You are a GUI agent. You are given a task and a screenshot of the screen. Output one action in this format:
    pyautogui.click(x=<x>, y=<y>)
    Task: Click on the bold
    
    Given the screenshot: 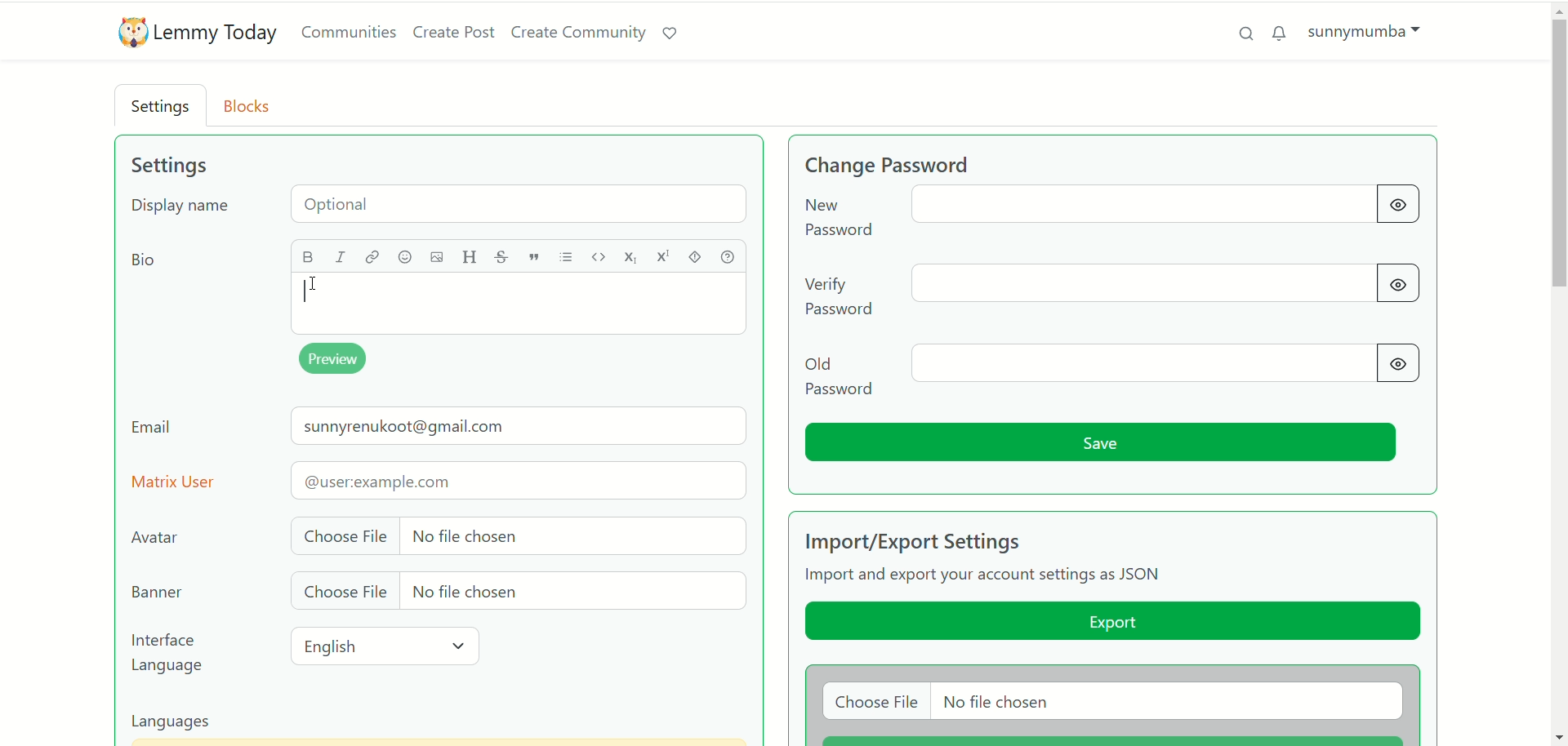 What is the action you would take?
    pyautogui.click(x=310, y=255)
    